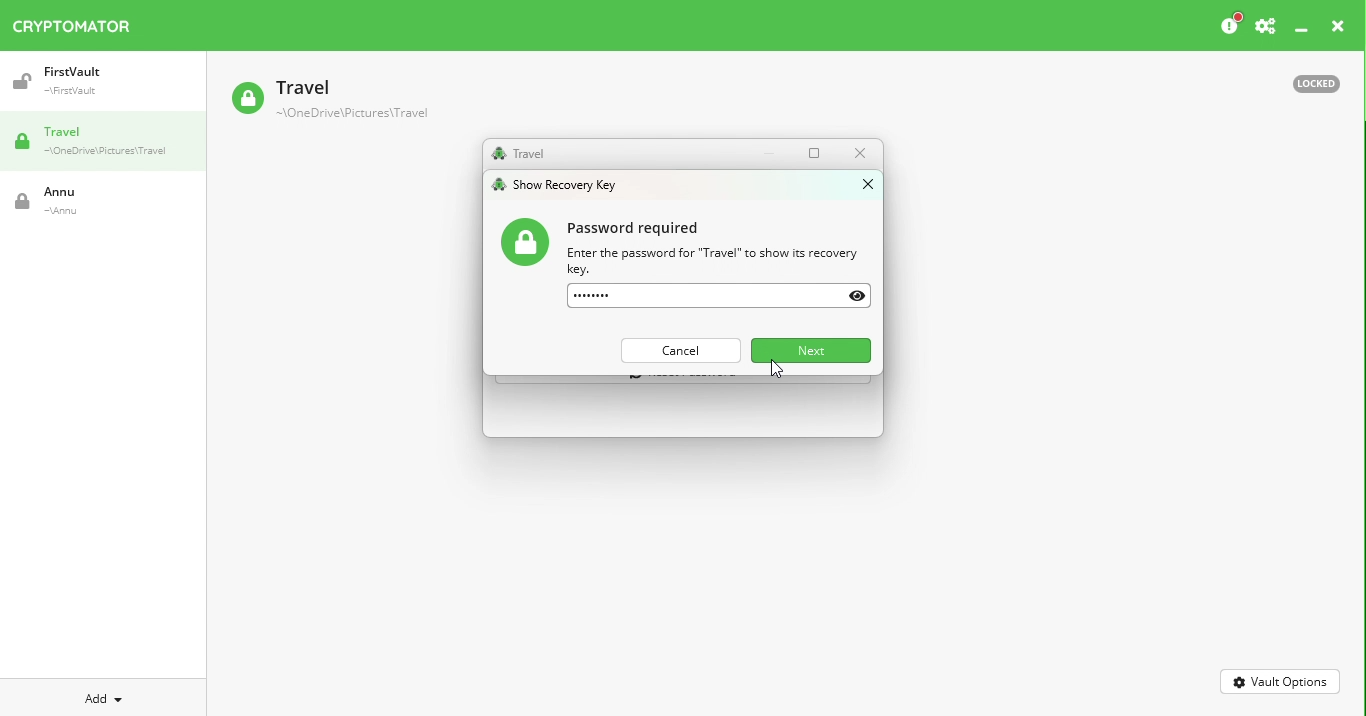 The width and height of the screenshot is (1366, 716). I want to click on Close, so click(859, 153).